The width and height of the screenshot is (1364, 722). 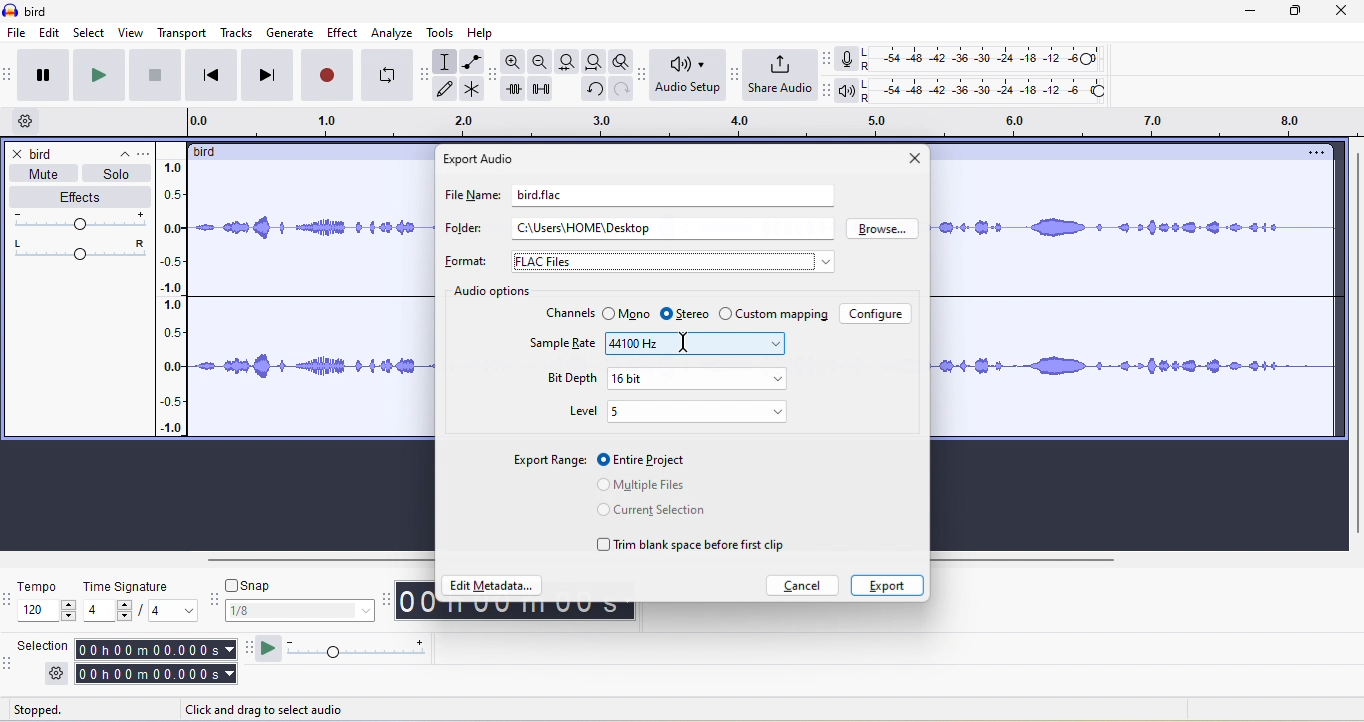 What do you see at coordinates (773, 315) in the screenshot?
I see `custom mapping` at bounding box center [773, 315].